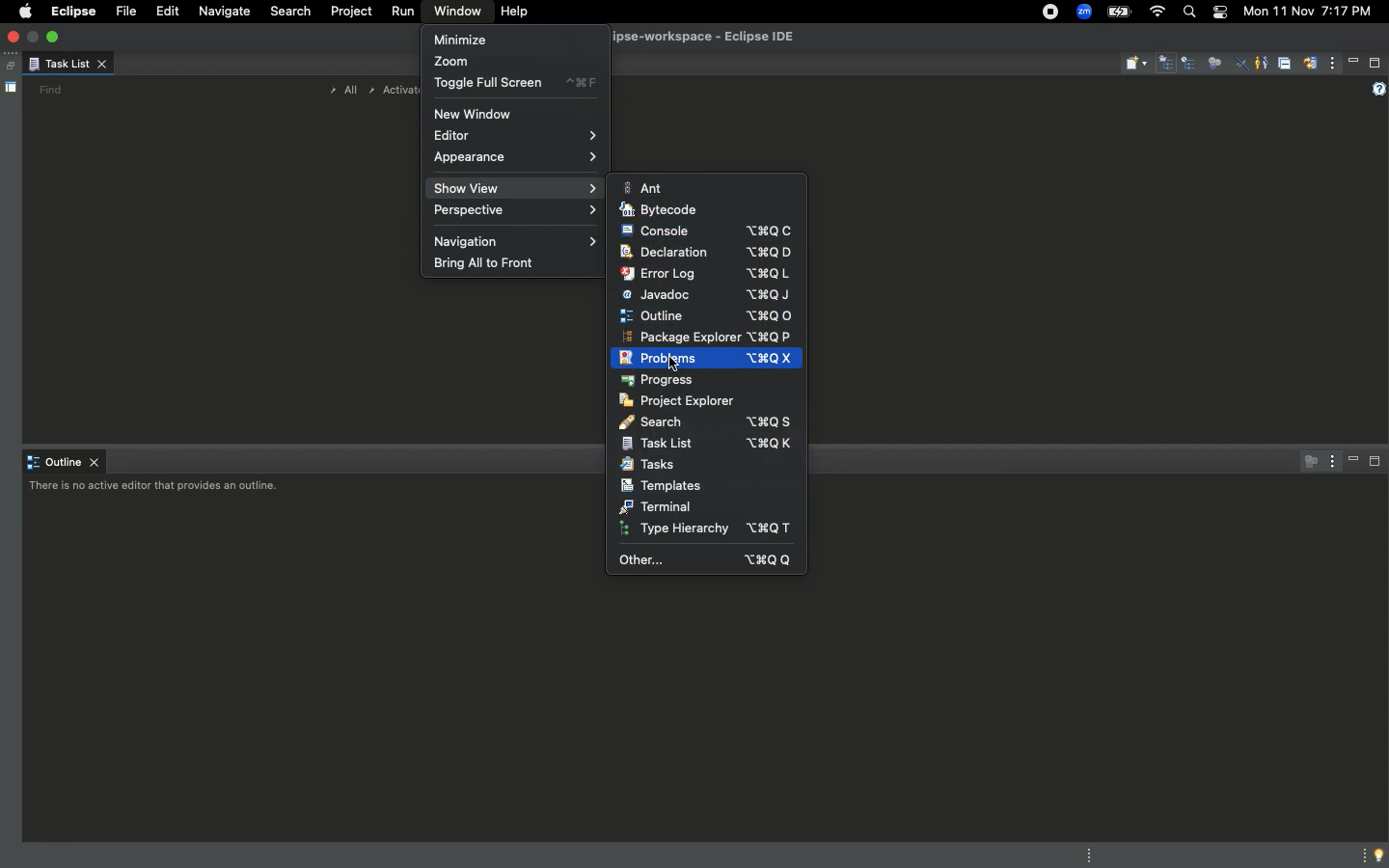 This screenshot has height=868, width=1389. What do you see at coordinates (1121, 12) in the screenshot?
I see `Charge` at bounding box center [1121, 12].